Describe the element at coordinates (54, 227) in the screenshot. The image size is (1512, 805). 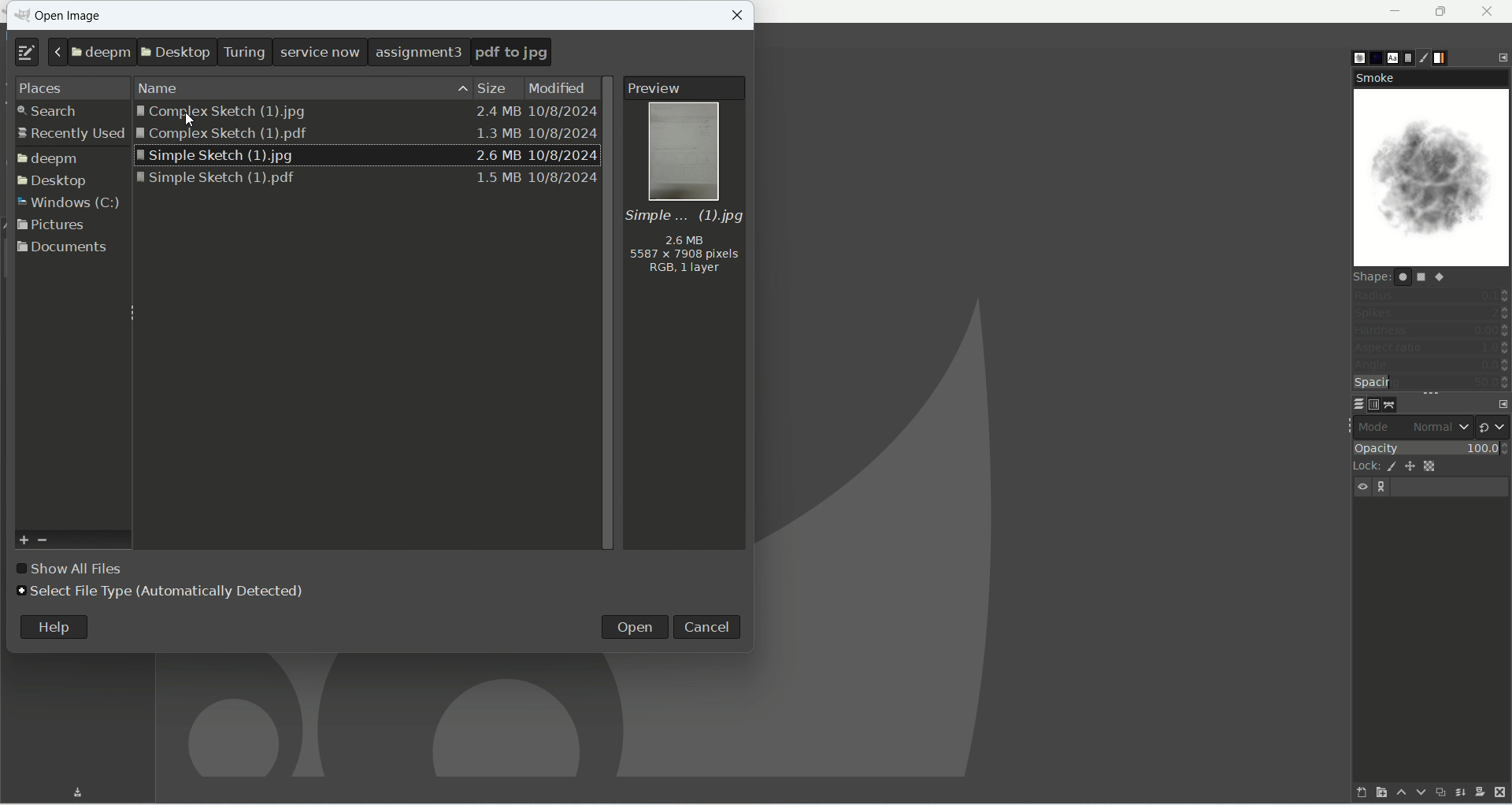
I see `pictures` at that location.